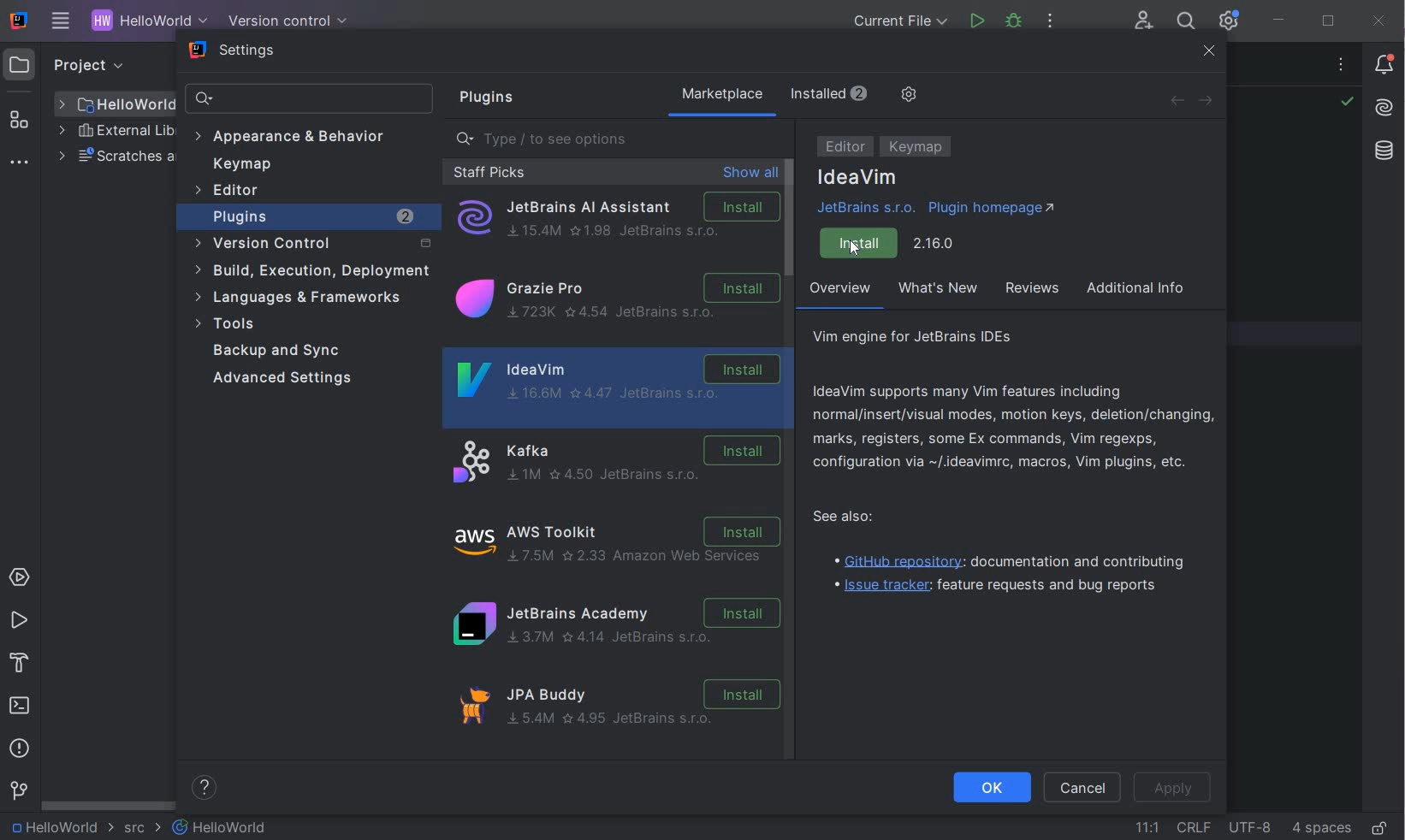  What do you see at coordinates (933, 337) in the screenshot?
I see `vim engine for JetBrains IDEs` at bounding box center [933, 337].